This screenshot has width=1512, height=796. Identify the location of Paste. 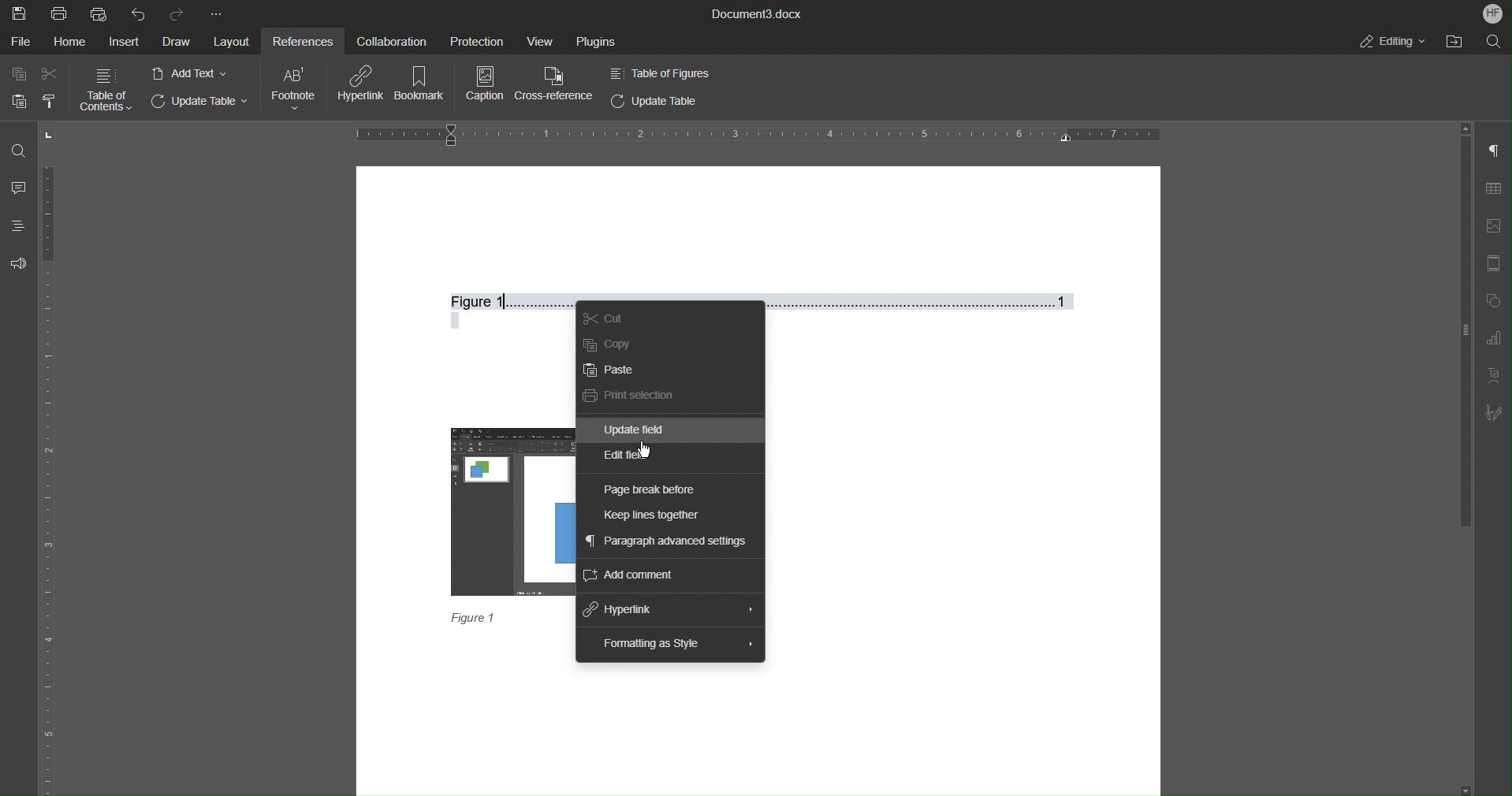
(609, 371).